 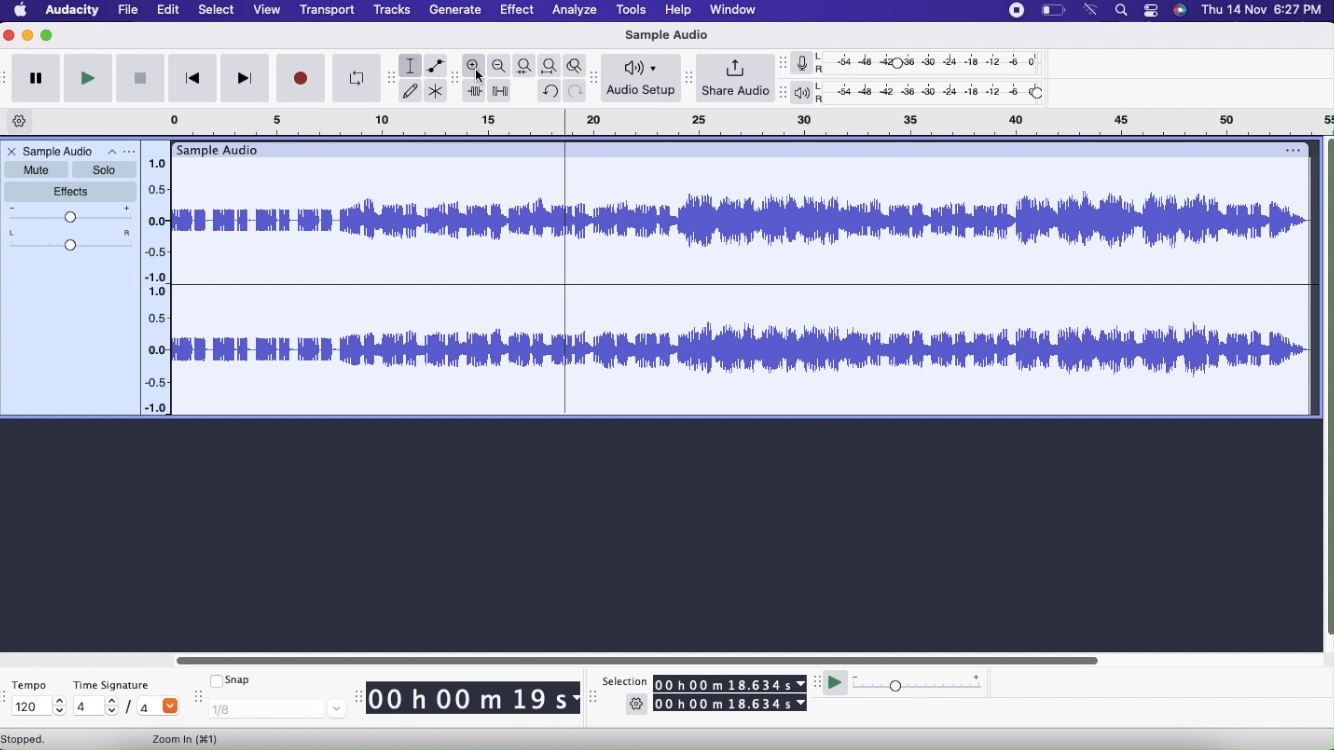 What do you see at coordinates (667, 35) in the screenshot?
I see `Sample Audio` at bounding box center [667, 35].